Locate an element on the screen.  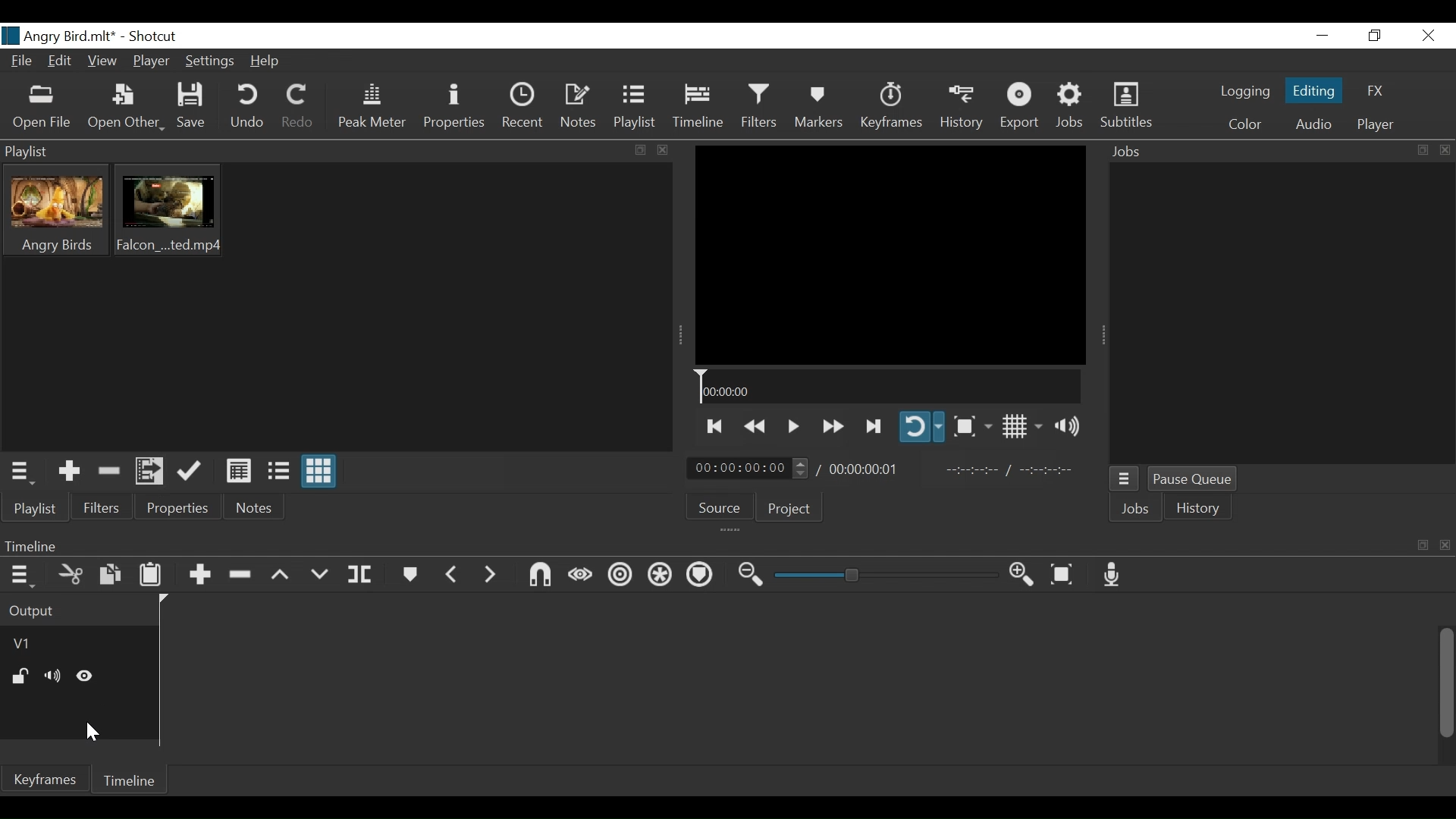
 is located at coordinates (635, 108).